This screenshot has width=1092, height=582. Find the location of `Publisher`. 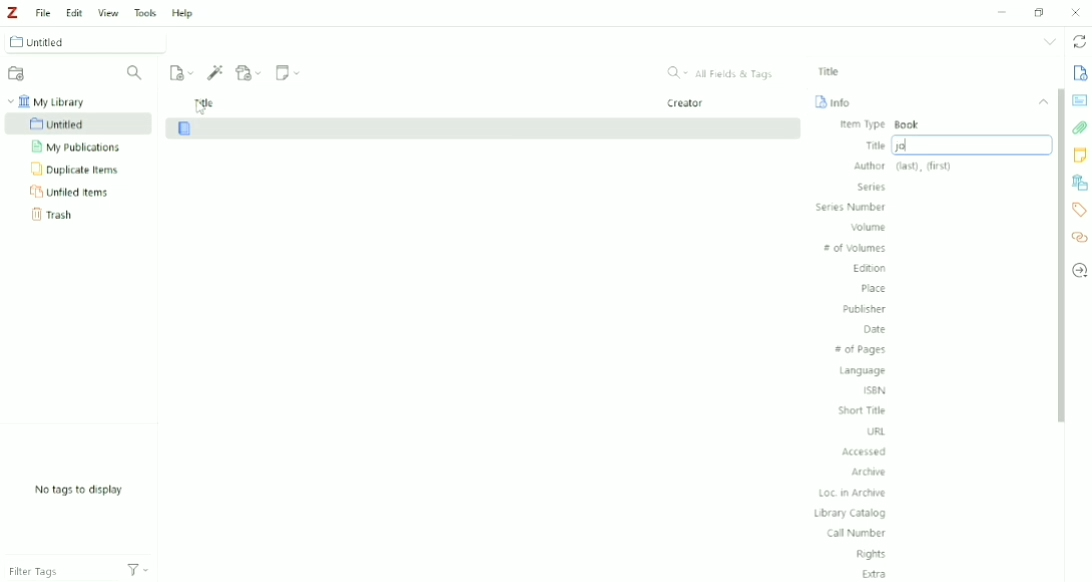

Publisher is located at coordinates (865, 309).